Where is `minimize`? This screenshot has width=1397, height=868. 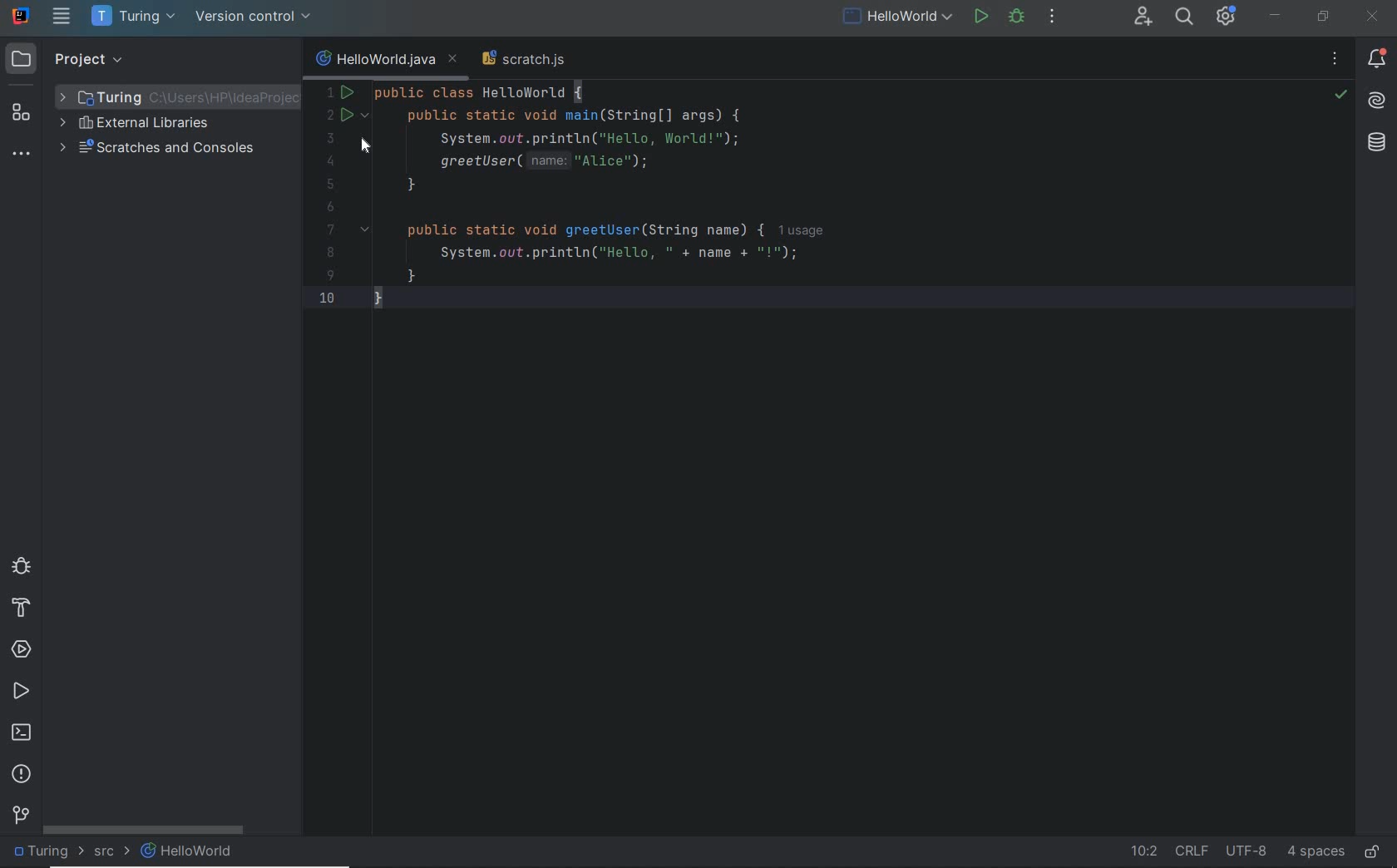
minimize is located at coordinates (1276, 16).